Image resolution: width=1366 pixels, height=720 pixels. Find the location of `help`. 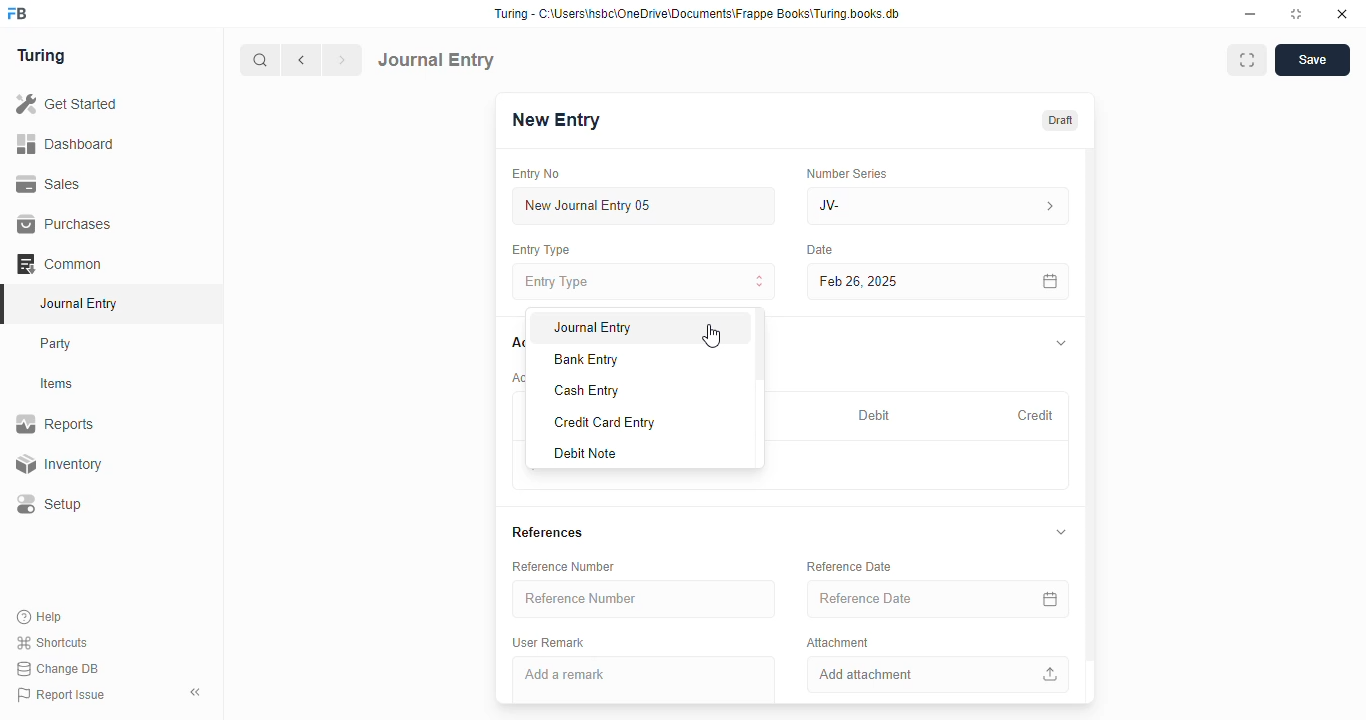

help is located at coordinates (41, 616).